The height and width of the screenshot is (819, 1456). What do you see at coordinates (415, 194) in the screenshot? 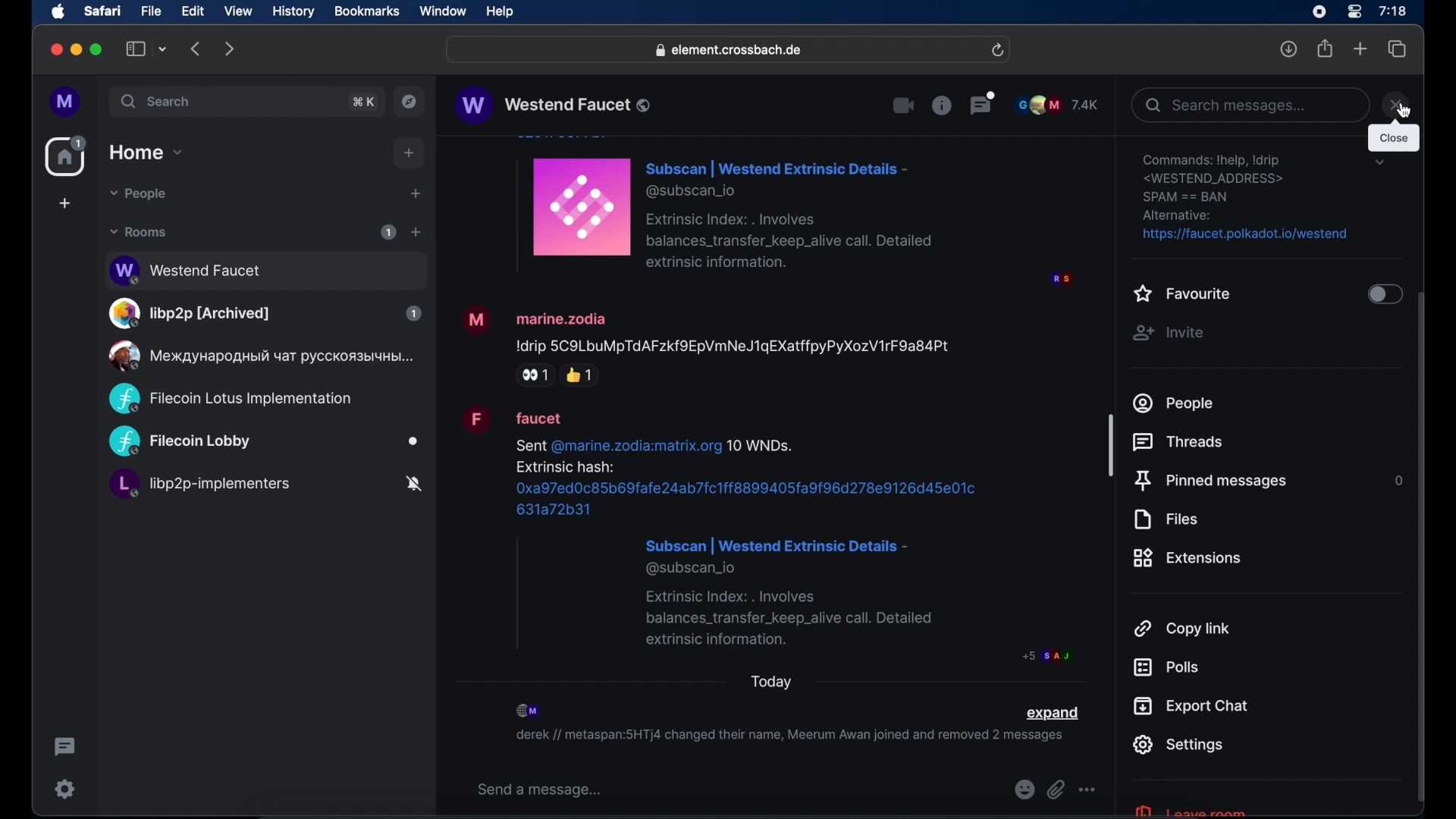
I see `start chat` at bounding box center [415, 194].